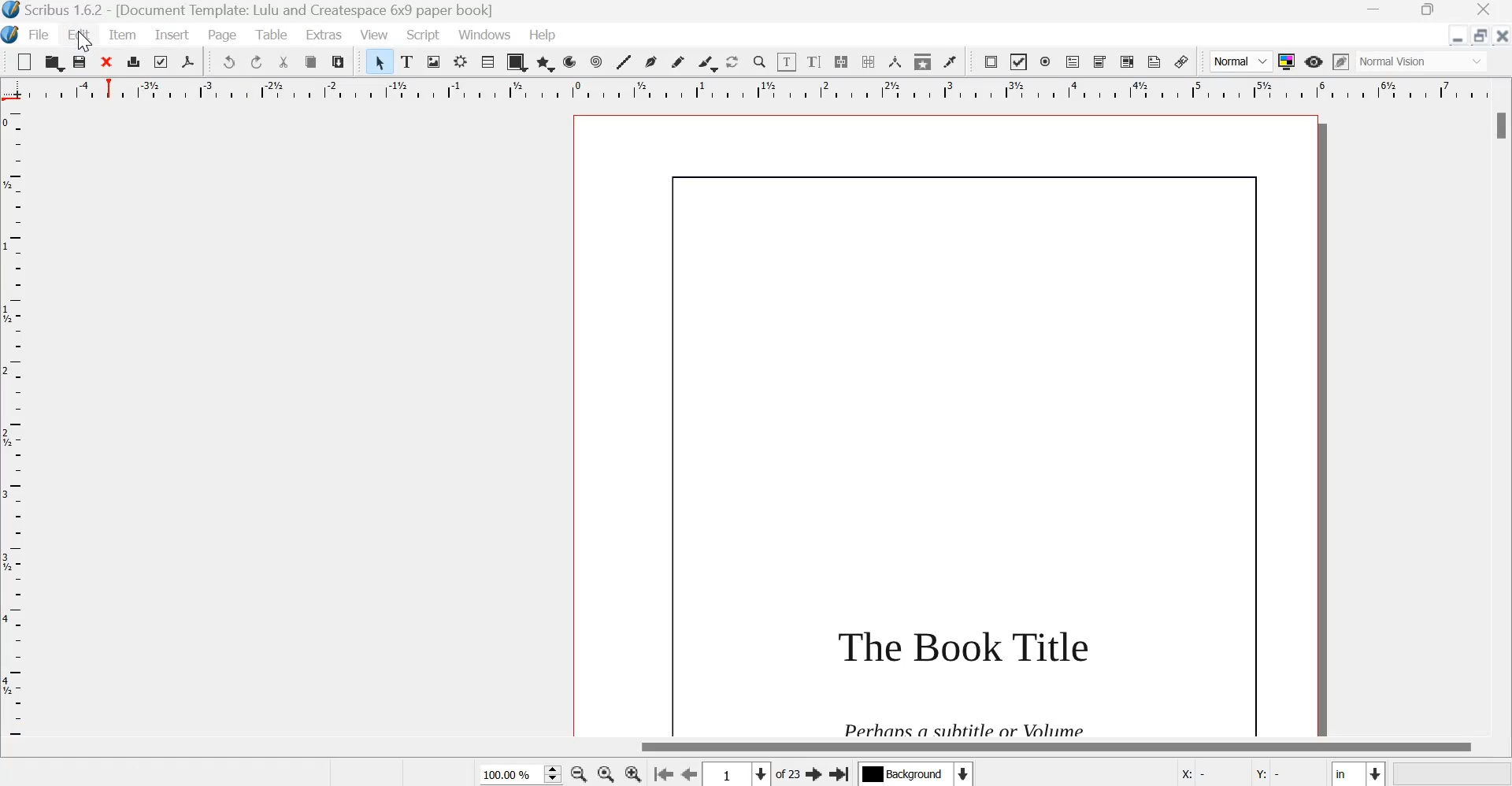 The height and width of the screenshot is (786, 1512). I want to click on Windows, so click(486, 33).